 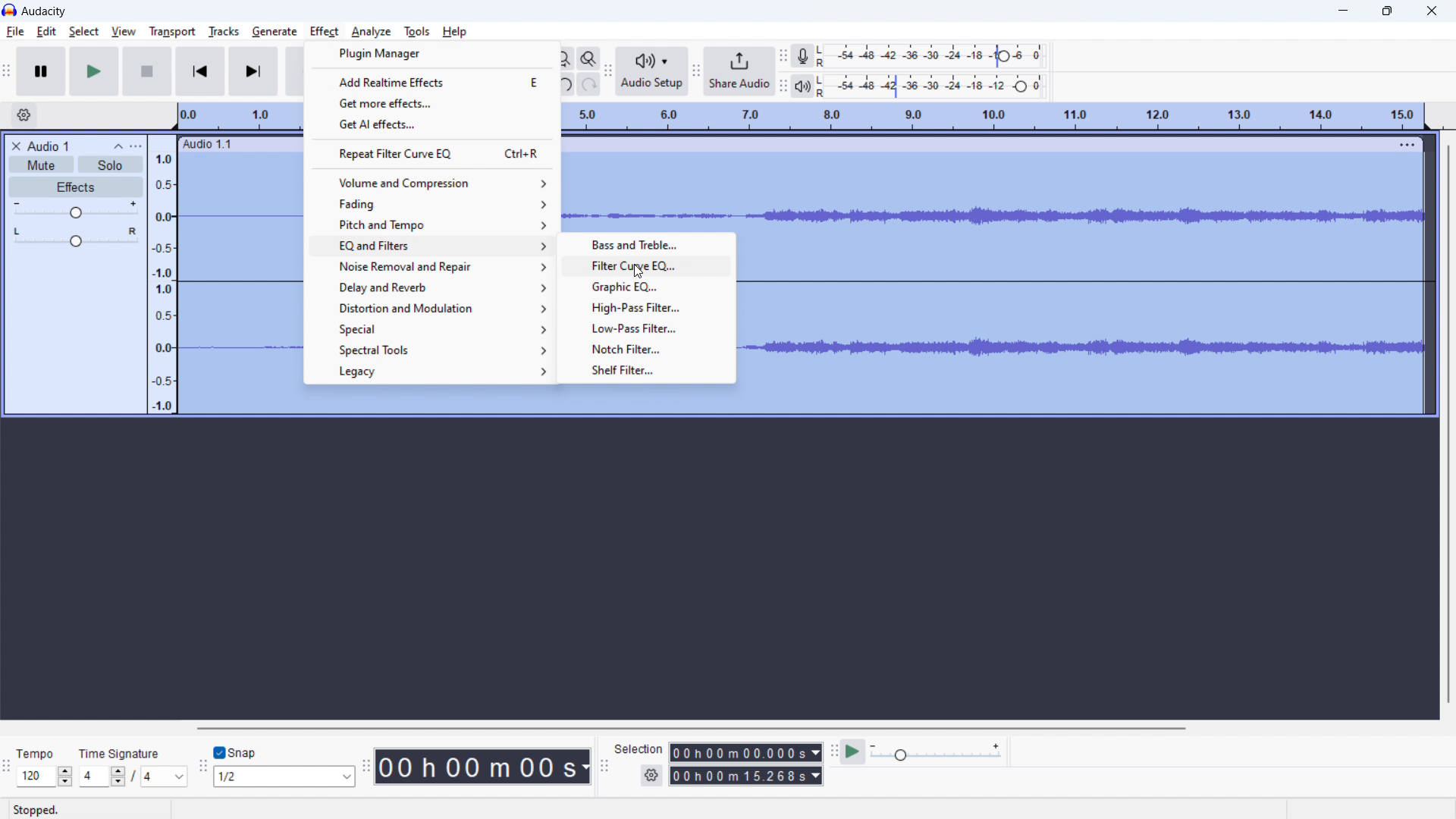 I want to click on special, so click(x=428, y=329).